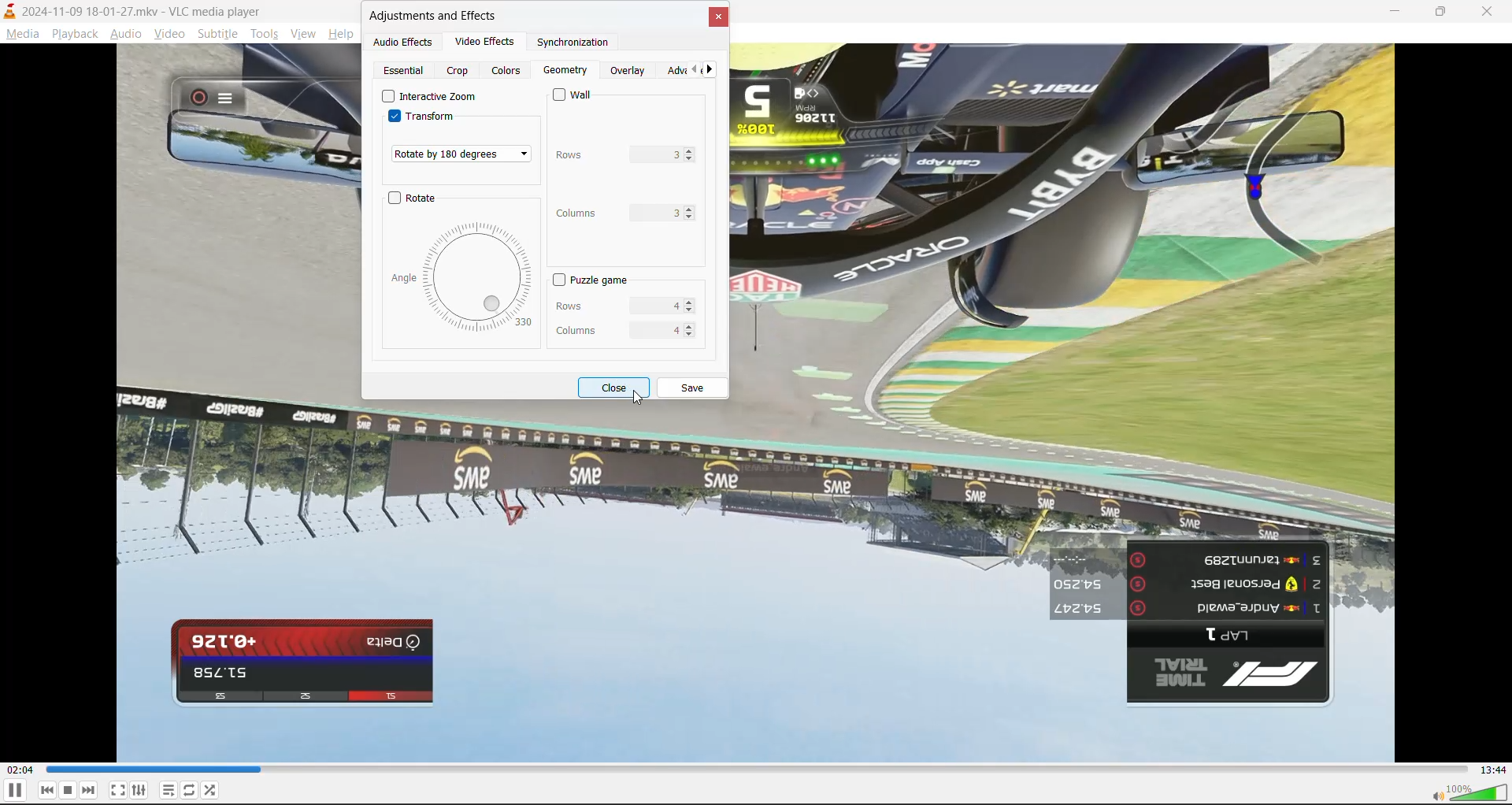 This screenshot has width=1512, height=805. Describe the element at coordinates (691, 217) in the screenshot. I see `decrease` at that location.